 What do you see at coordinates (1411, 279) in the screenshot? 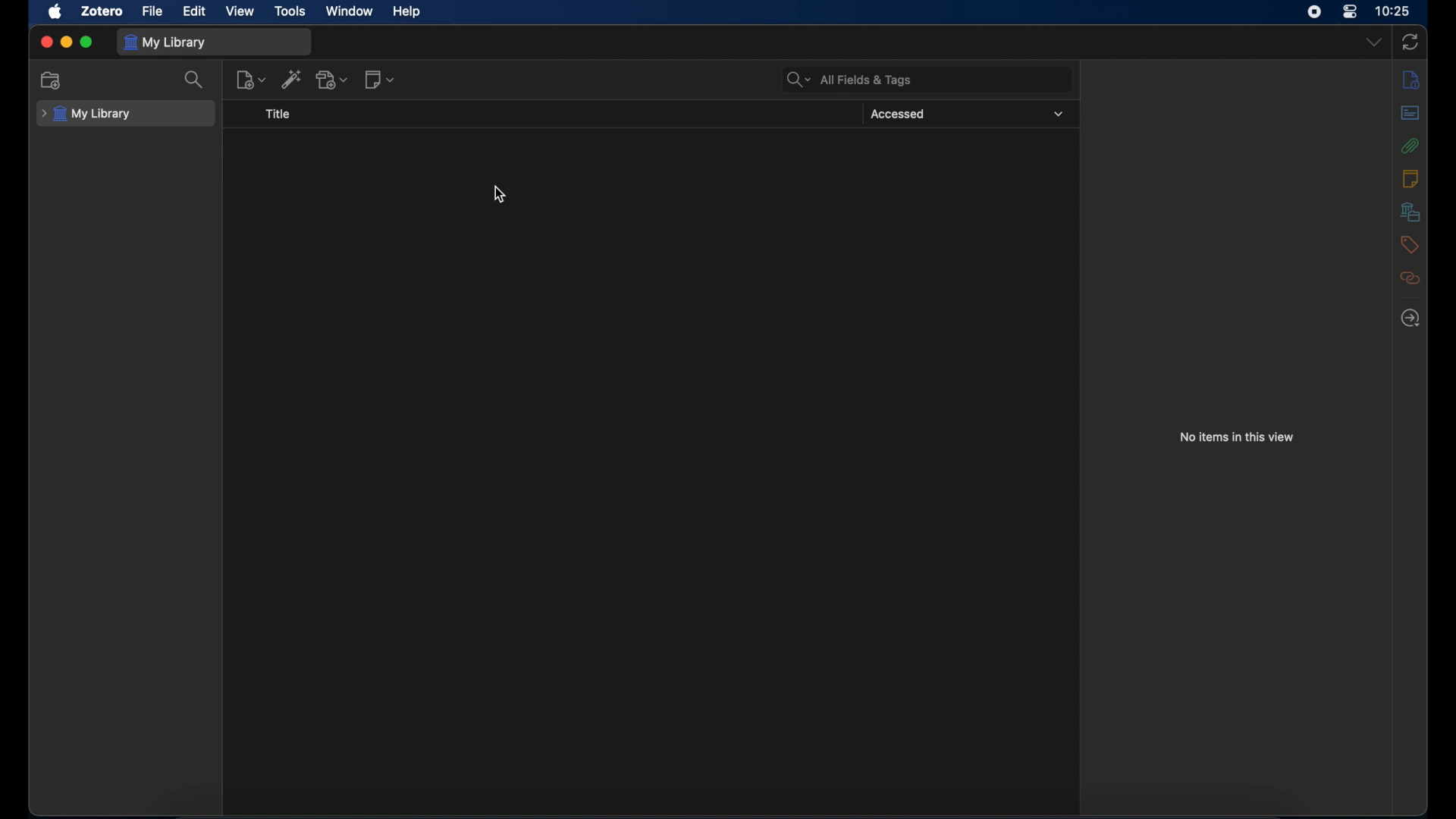
I see `related` at bounding box center [1411, 279].